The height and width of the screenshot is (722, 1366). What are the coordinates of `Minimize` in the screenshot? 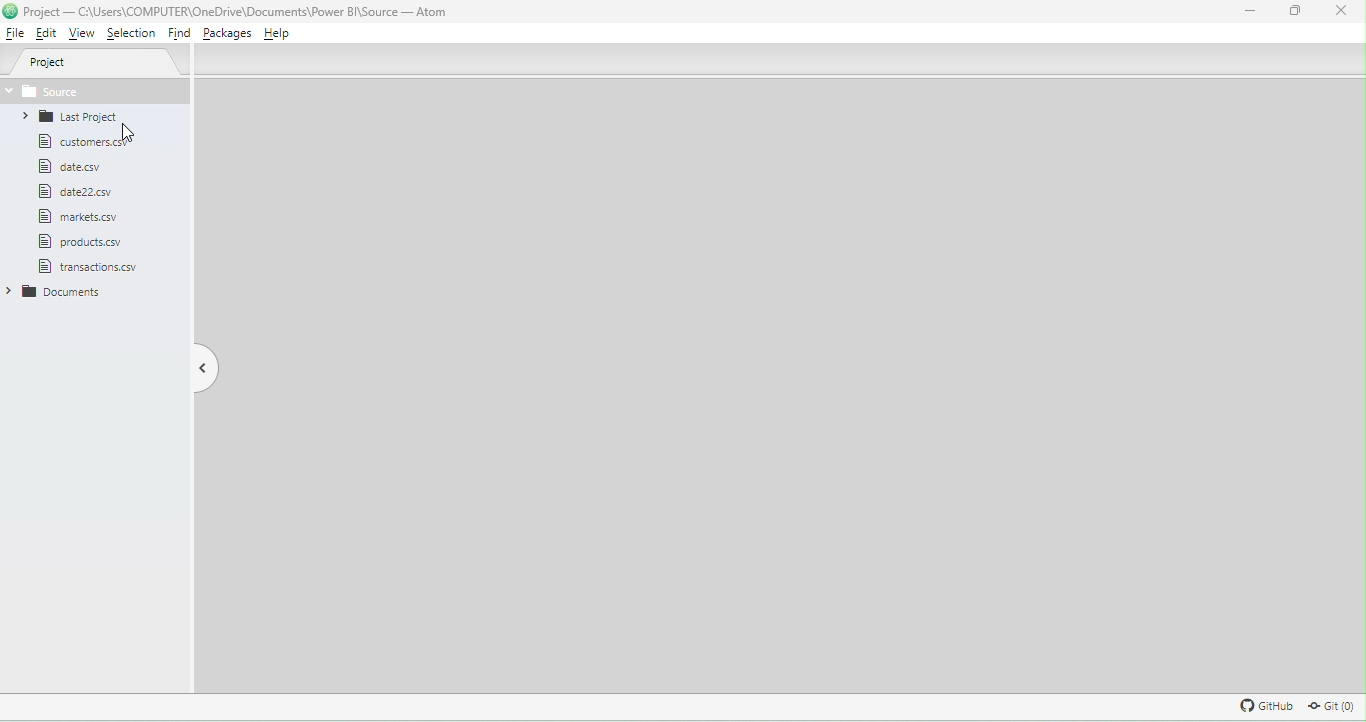 It's located at (1255, 12).